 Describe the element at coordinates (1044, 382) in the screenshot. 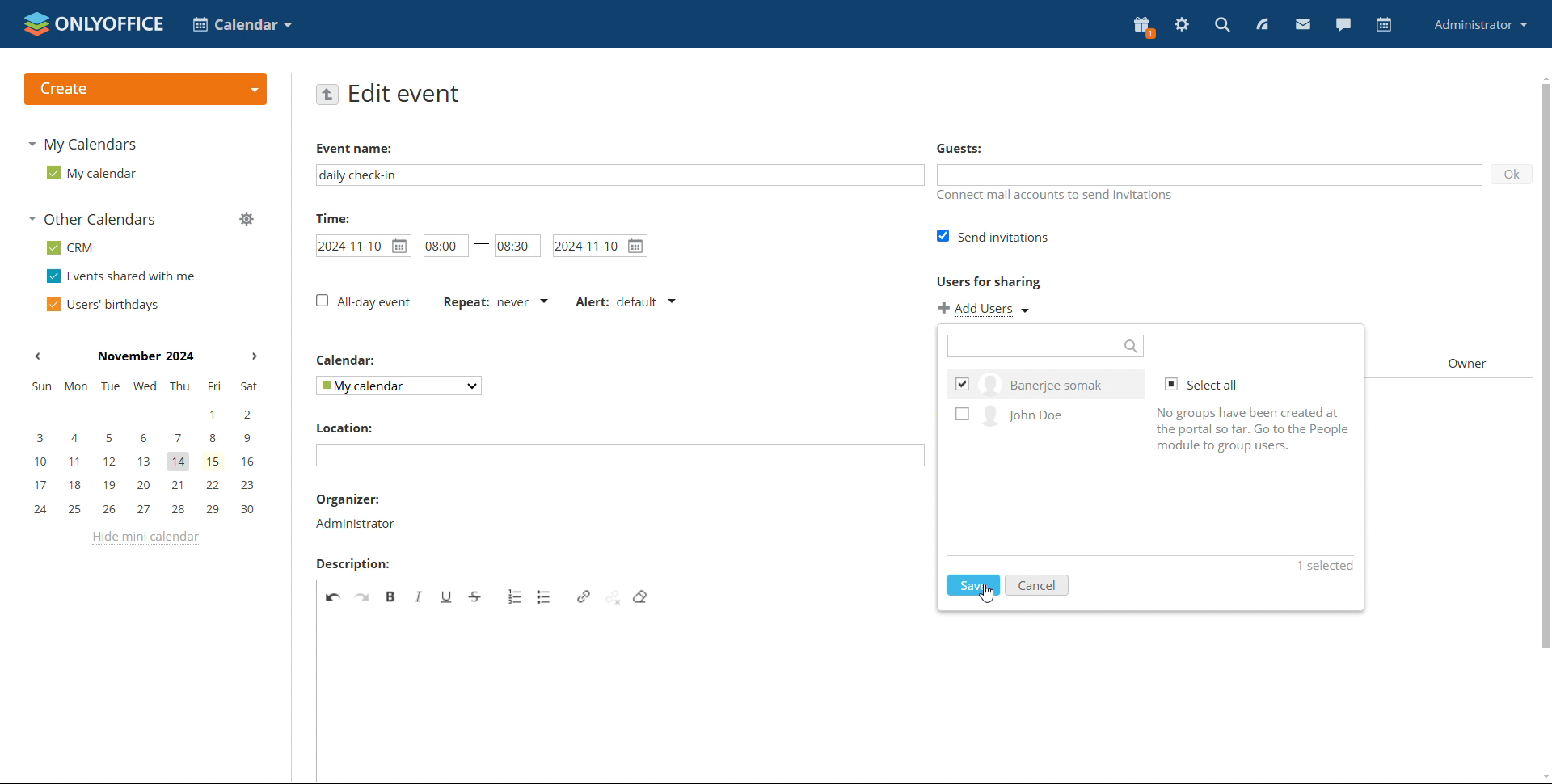

I see `user 1 ticked` at that location.